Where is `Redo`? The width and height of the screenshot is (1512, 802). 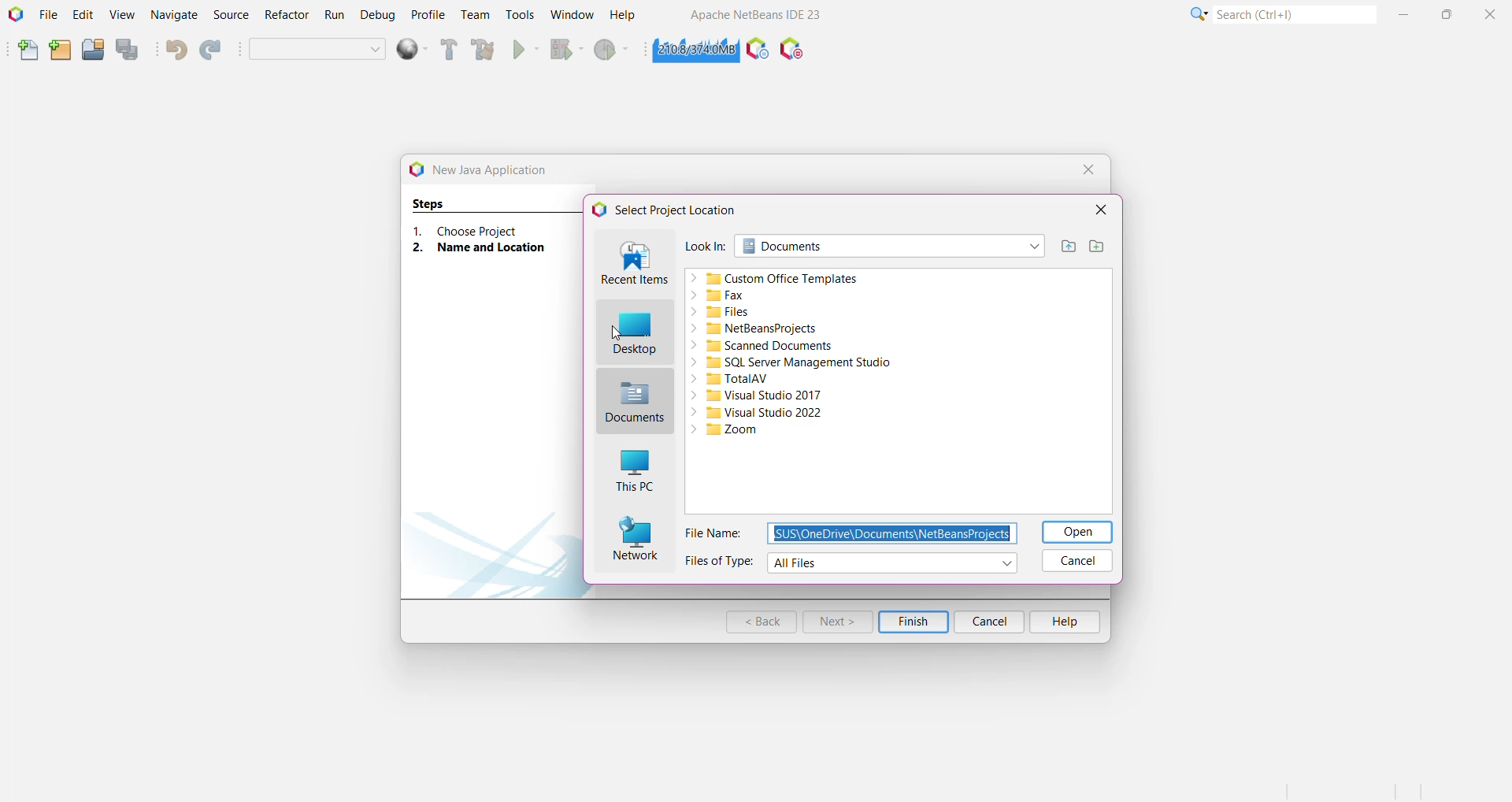
Redo is located at coordinates (210, 50).